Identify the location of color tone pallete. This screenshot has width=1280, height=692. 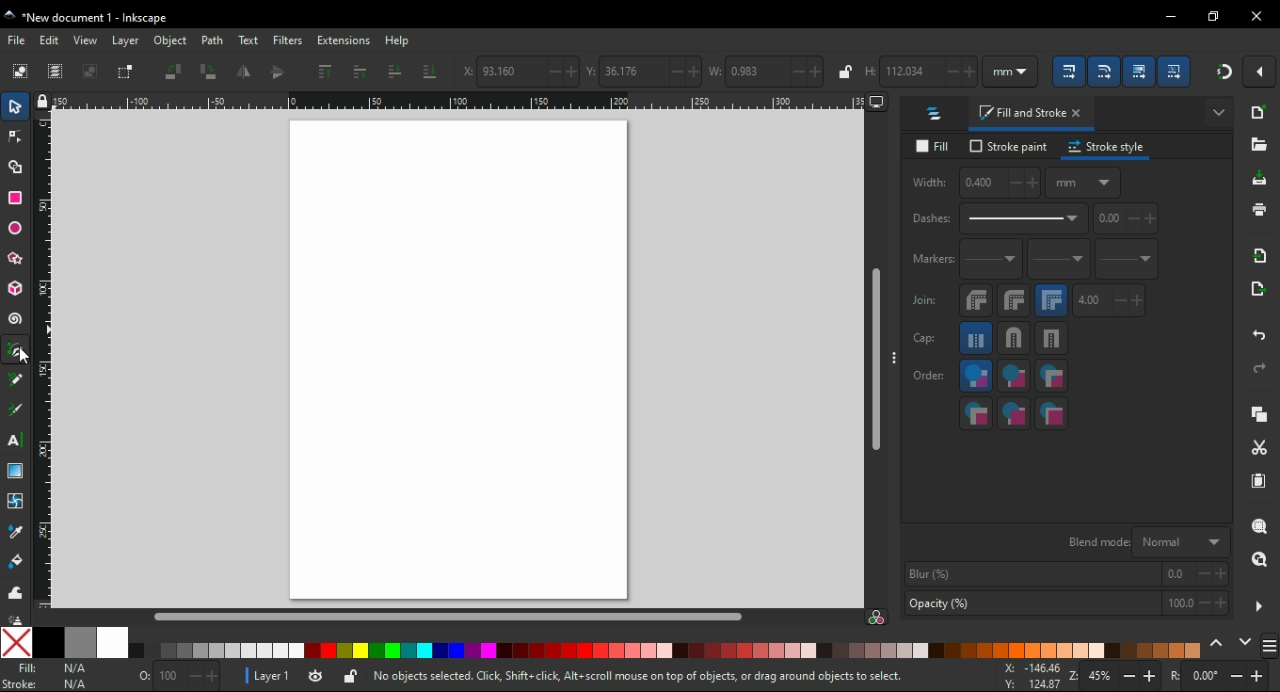
(761, 650).